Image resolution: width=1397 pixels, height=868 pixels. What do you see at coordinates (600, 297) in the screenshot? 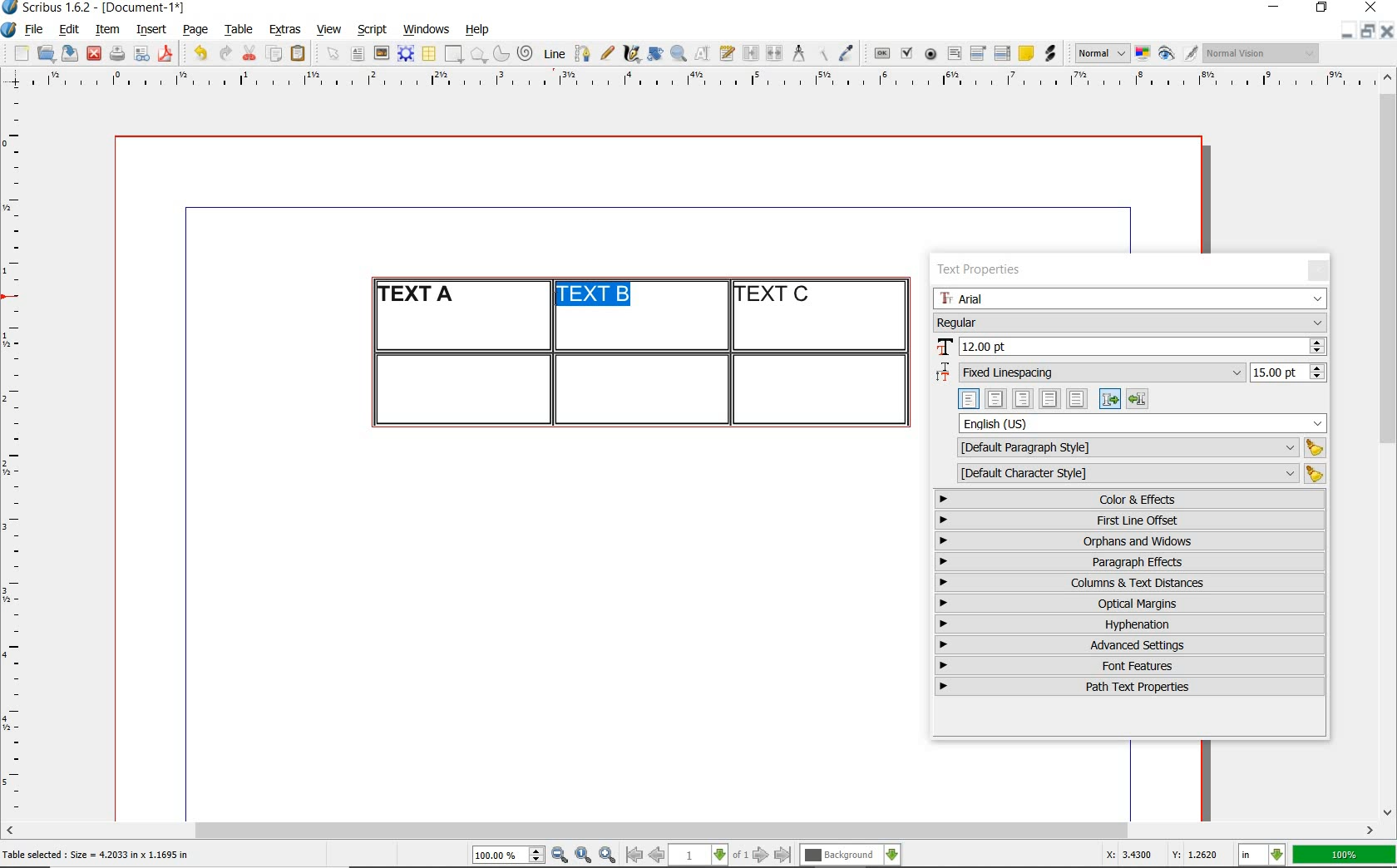
I see `text highlighted` at bounding box center [600, 297].